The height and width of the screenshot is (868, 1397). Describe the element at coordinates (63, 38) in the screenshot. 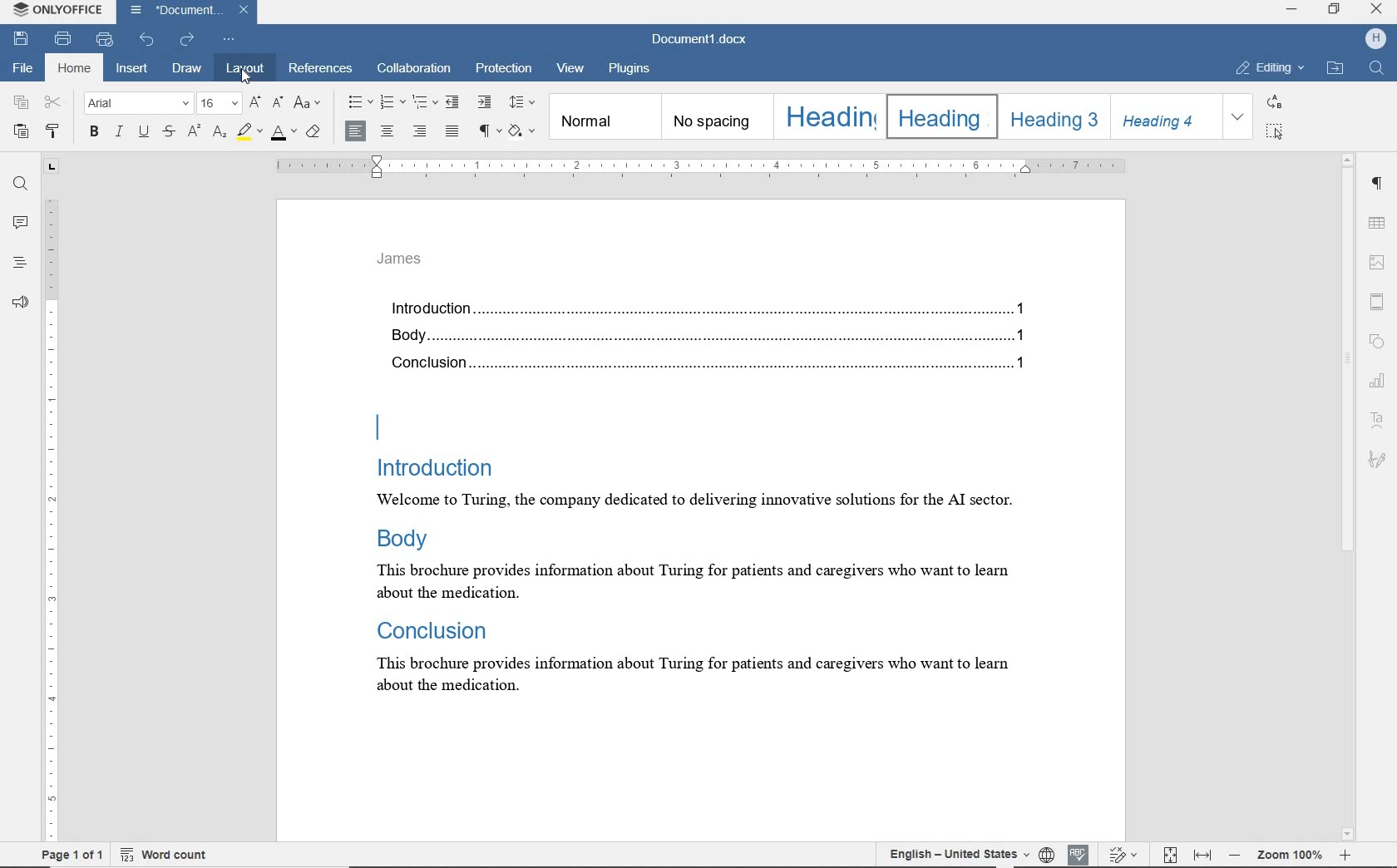

I see `print` at that location.